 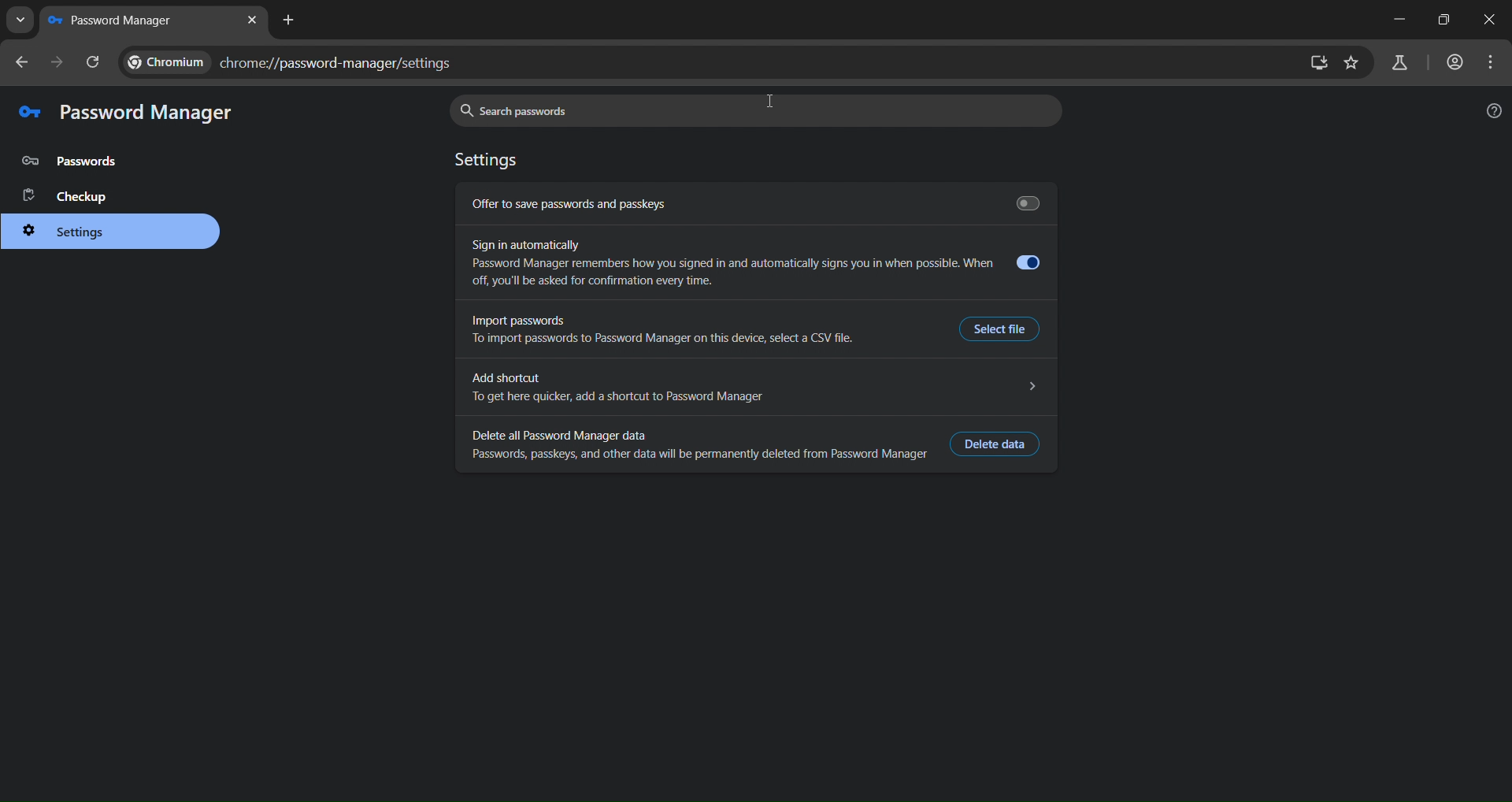 I want to click on password, so click(x=74, y=162).